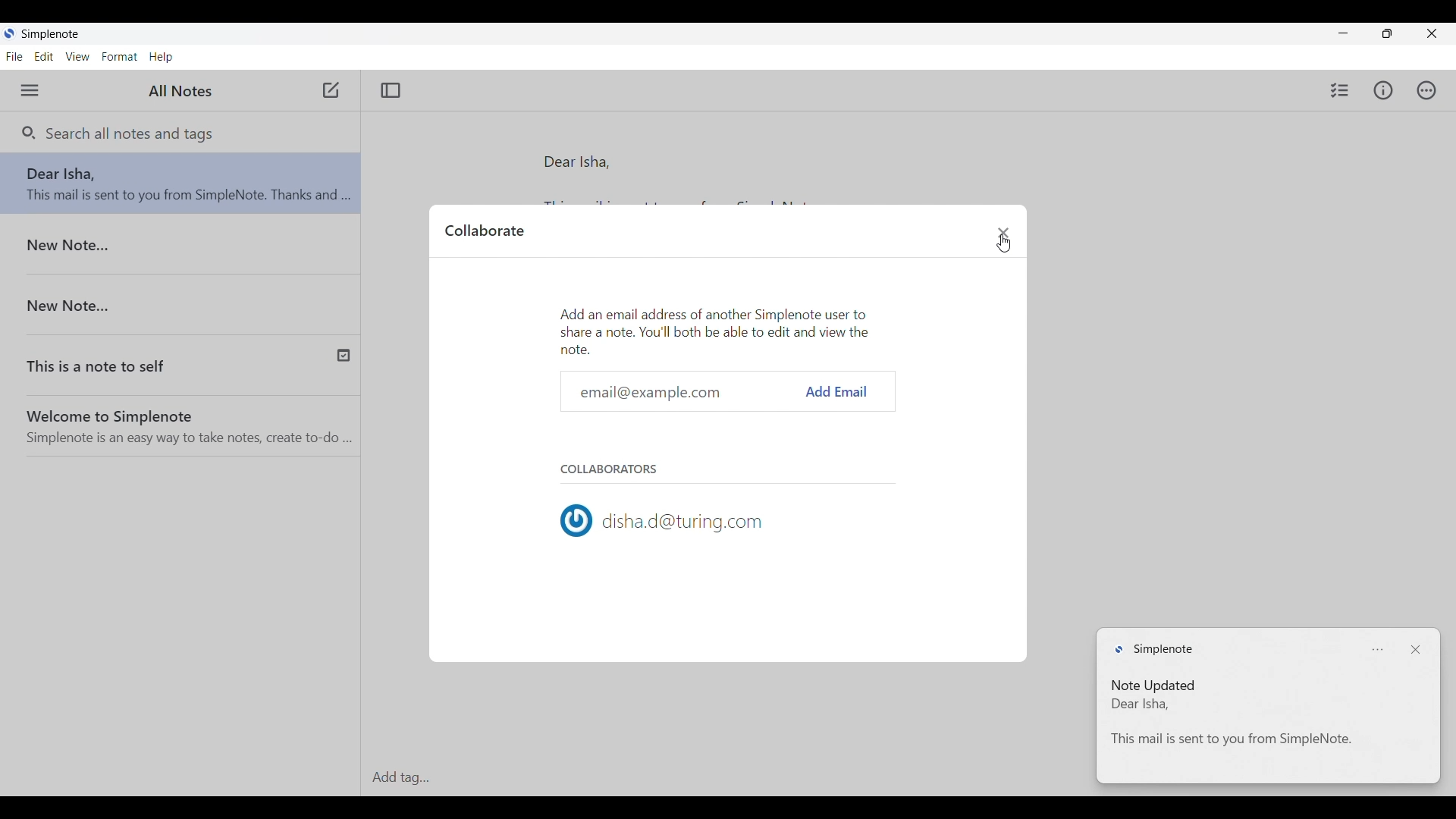  Describe the element at coordinates (1264, 723) in the screenshot. I see `Note text that has been added ` at that location.